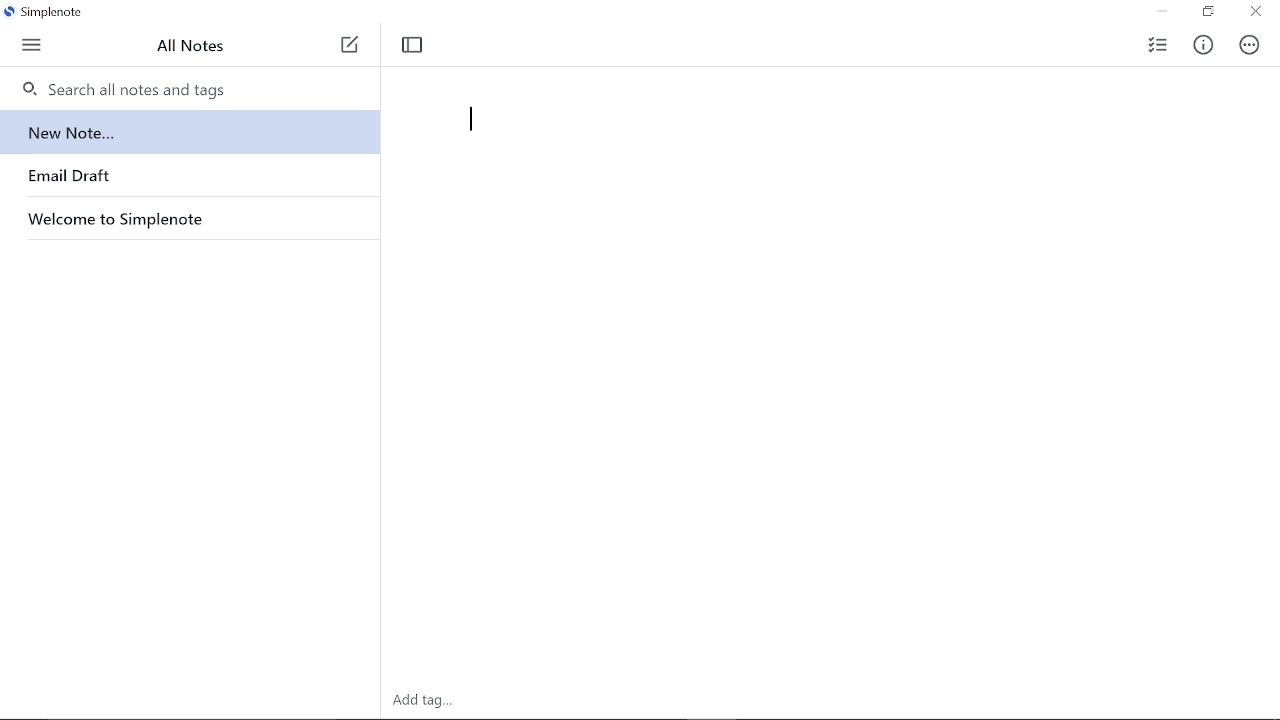  I want to click on Welcome to Simplenote, so click(145, 219).